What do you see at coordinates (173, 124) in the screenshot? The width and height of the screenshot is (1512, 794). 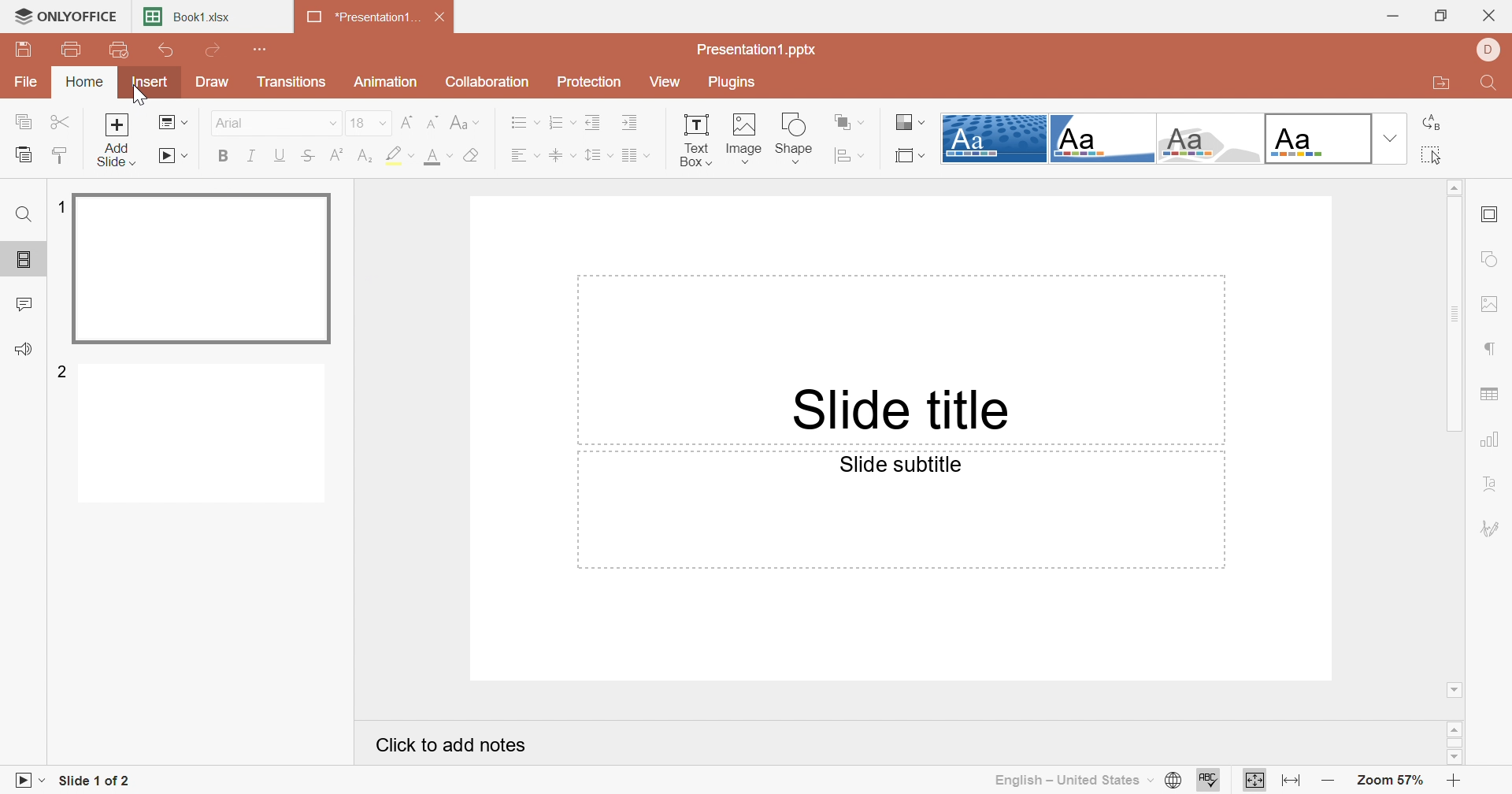 I see `Change layout` at bounding box center [173, 124].